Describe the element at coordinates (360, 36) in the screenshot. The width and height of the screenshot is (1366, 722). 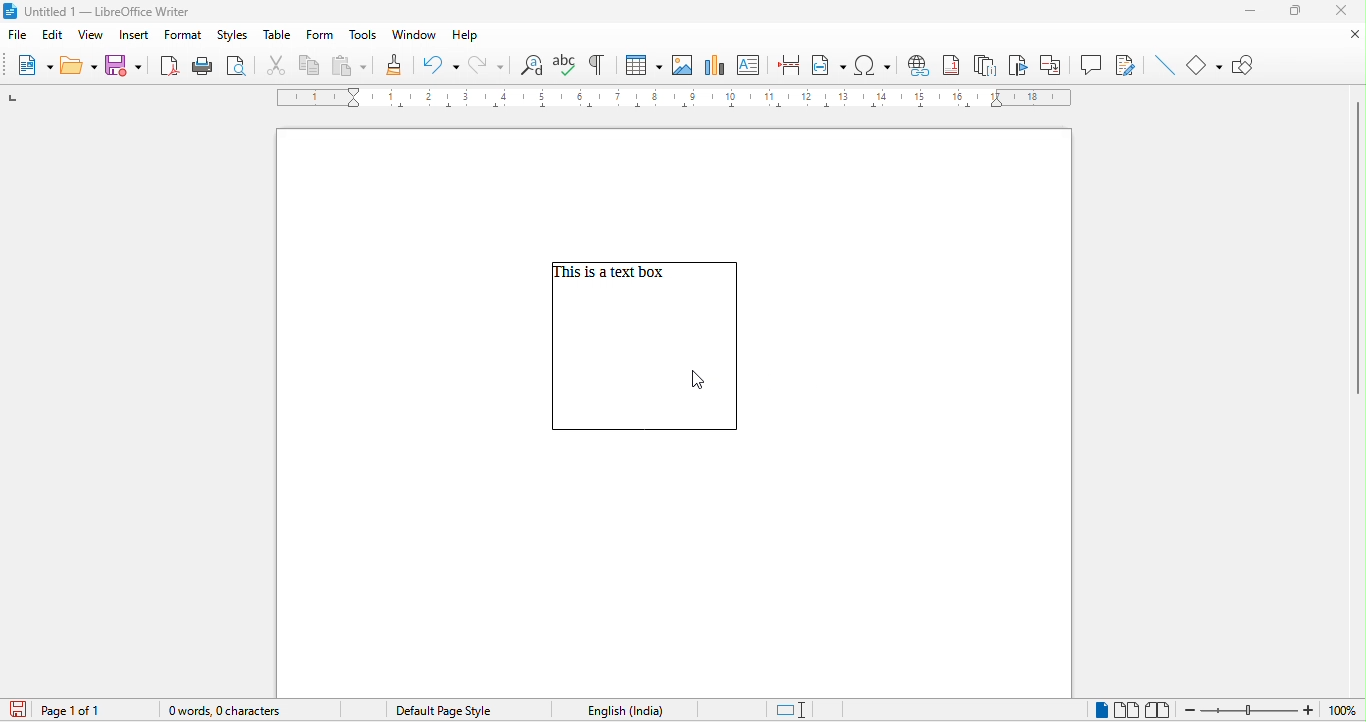
I see `tools` at that location.